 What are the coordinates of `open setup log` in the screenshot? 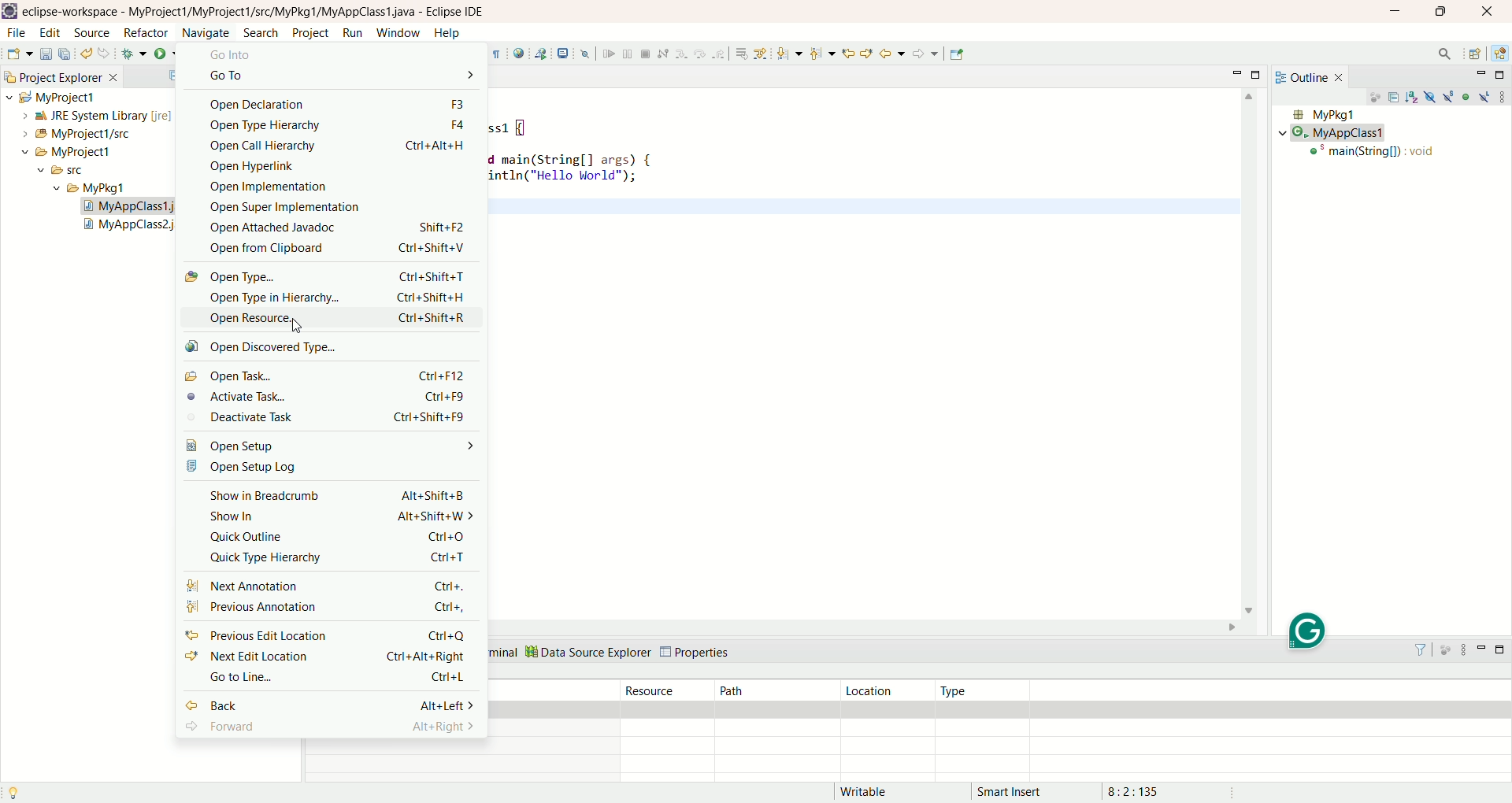 It's located at (331, 468).